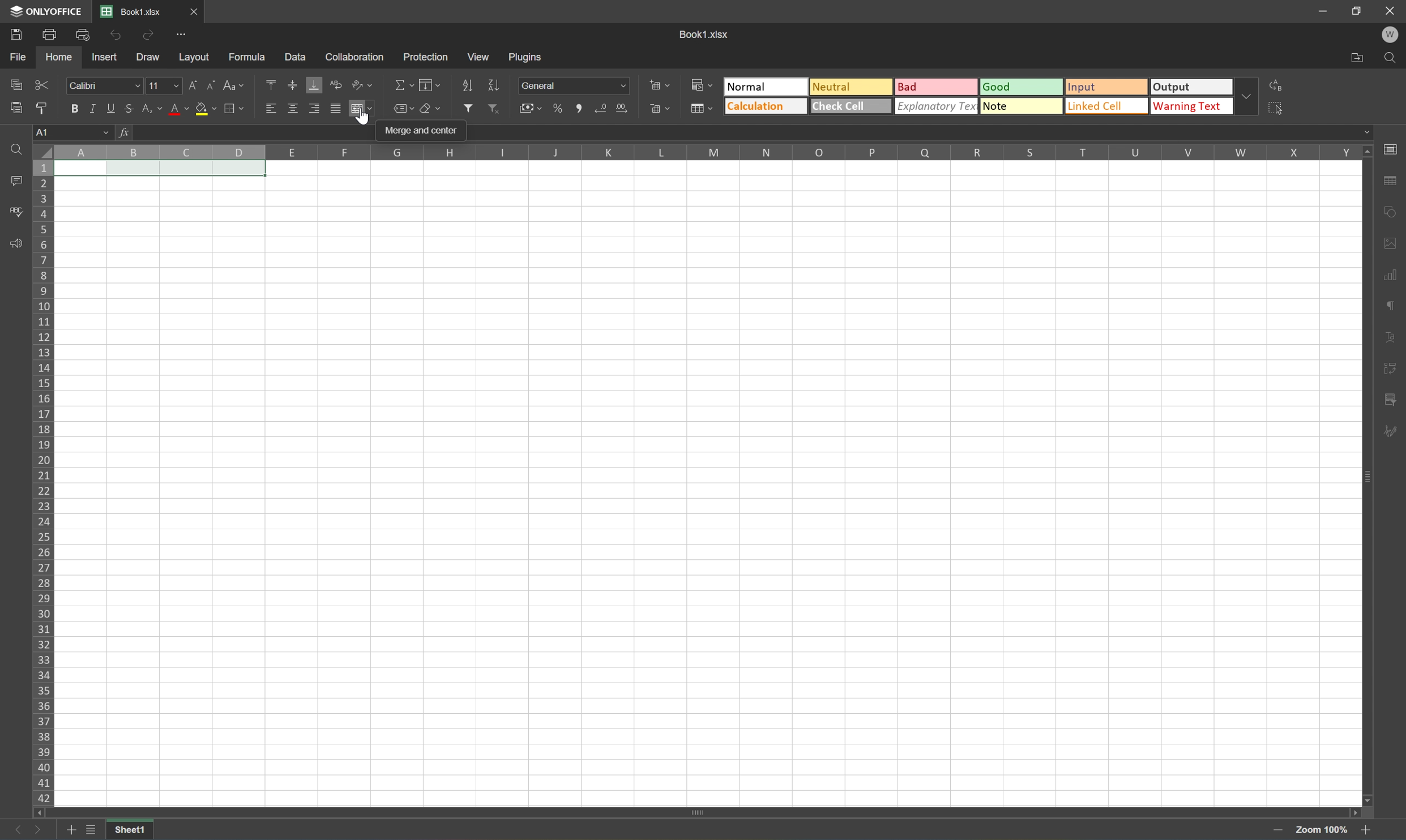 This screenshot has height=840, width=1406. Describe the element at coordinates (362, 84) in the screenshot. I see `Orientation` at that location.